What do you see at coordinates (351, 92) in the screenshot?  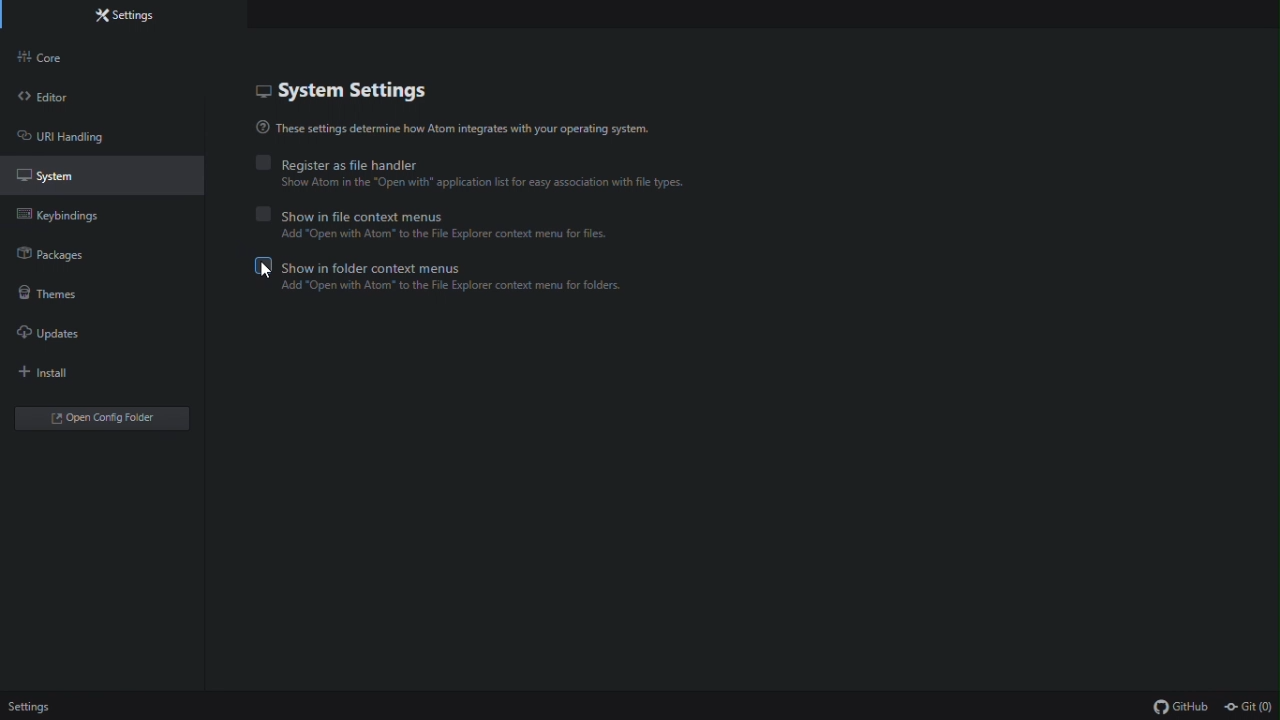 I see `System settings` at bounding box center [351, 92].